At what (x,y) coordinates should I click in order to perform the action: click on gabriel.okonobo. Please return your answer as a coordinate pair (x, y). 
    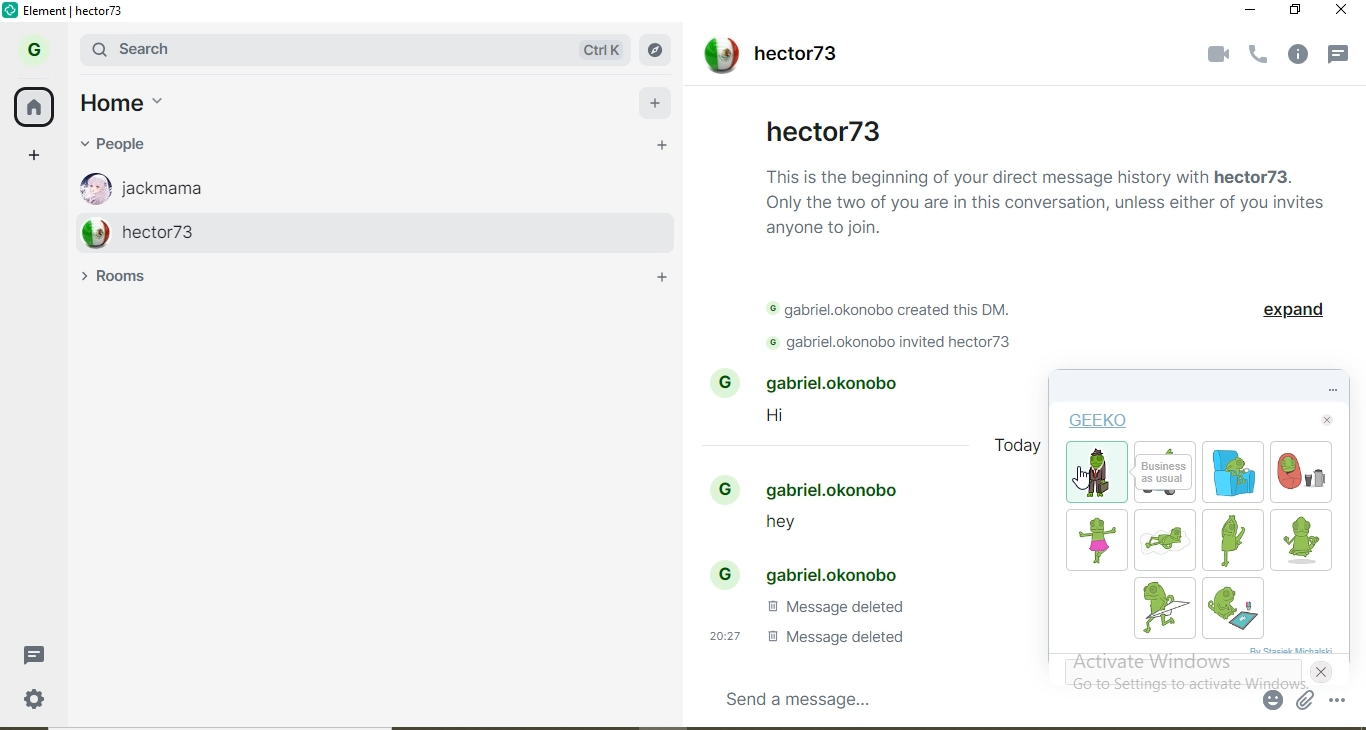
    Looking at the image, I should click on (815, 384).